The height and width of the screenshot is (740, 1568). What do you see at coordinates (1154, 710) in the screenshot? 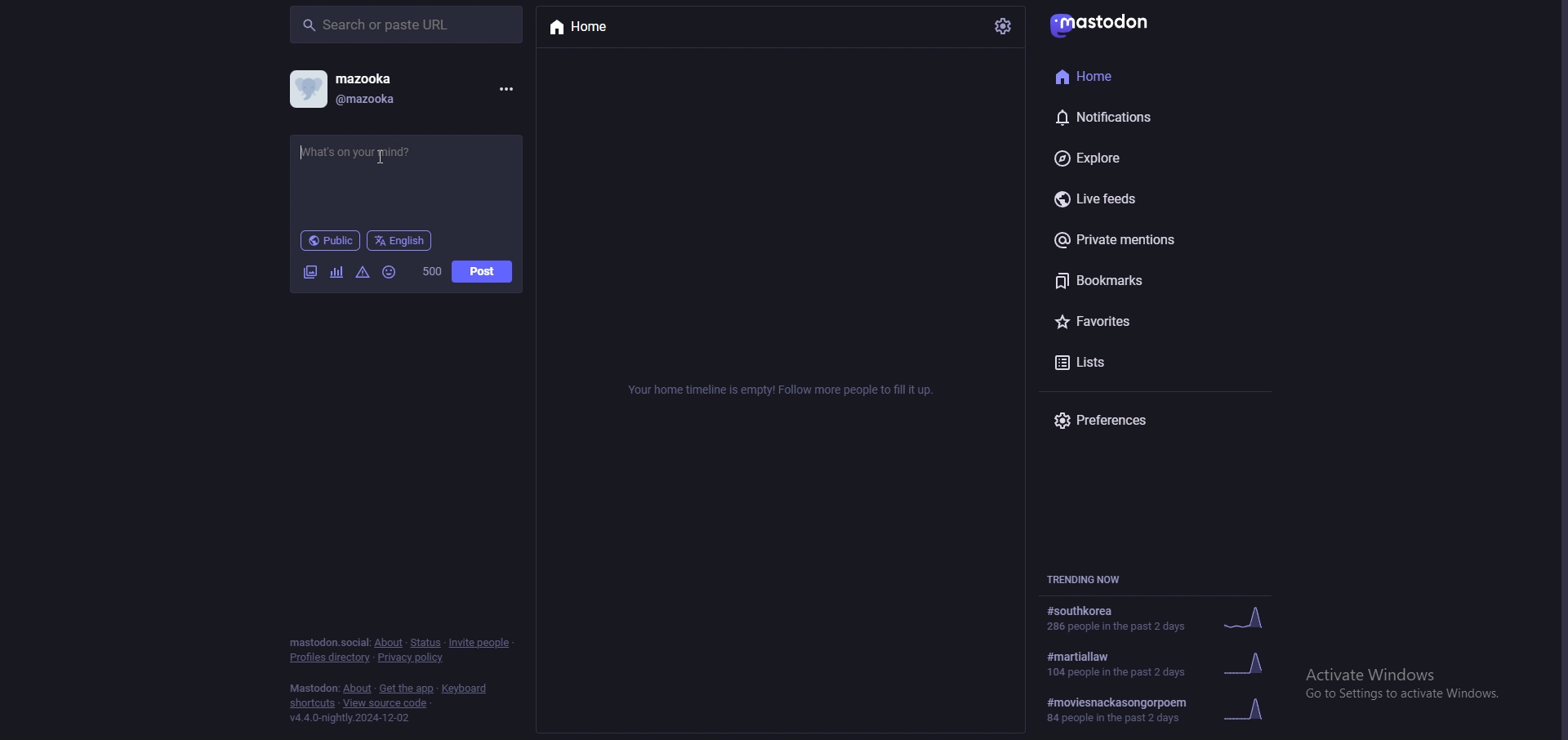
I see `trending` at bounding box center [1154, 710].